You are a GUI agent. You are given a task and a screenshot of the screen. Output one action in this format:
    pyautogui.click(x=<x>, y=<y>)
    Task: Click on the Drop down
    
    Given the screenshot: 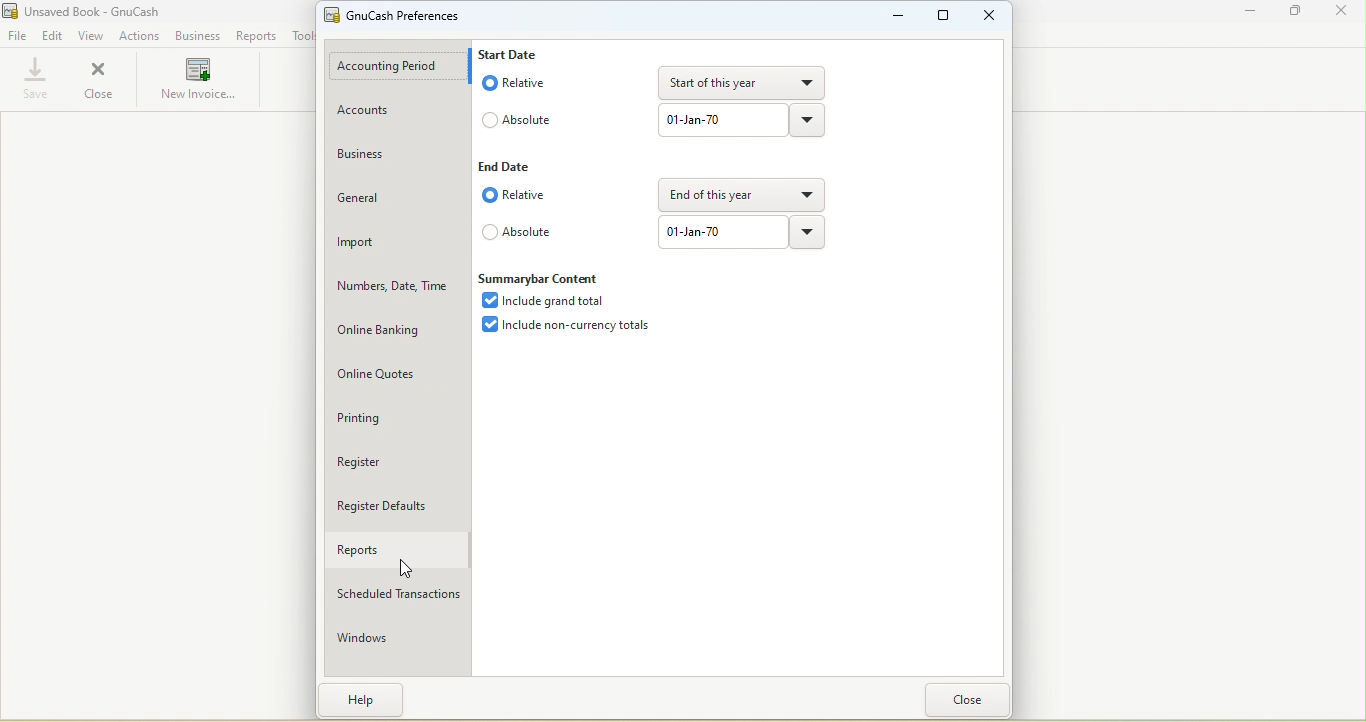 What is the action you would take?
    pyautogui.click(x=741, y=82)
    